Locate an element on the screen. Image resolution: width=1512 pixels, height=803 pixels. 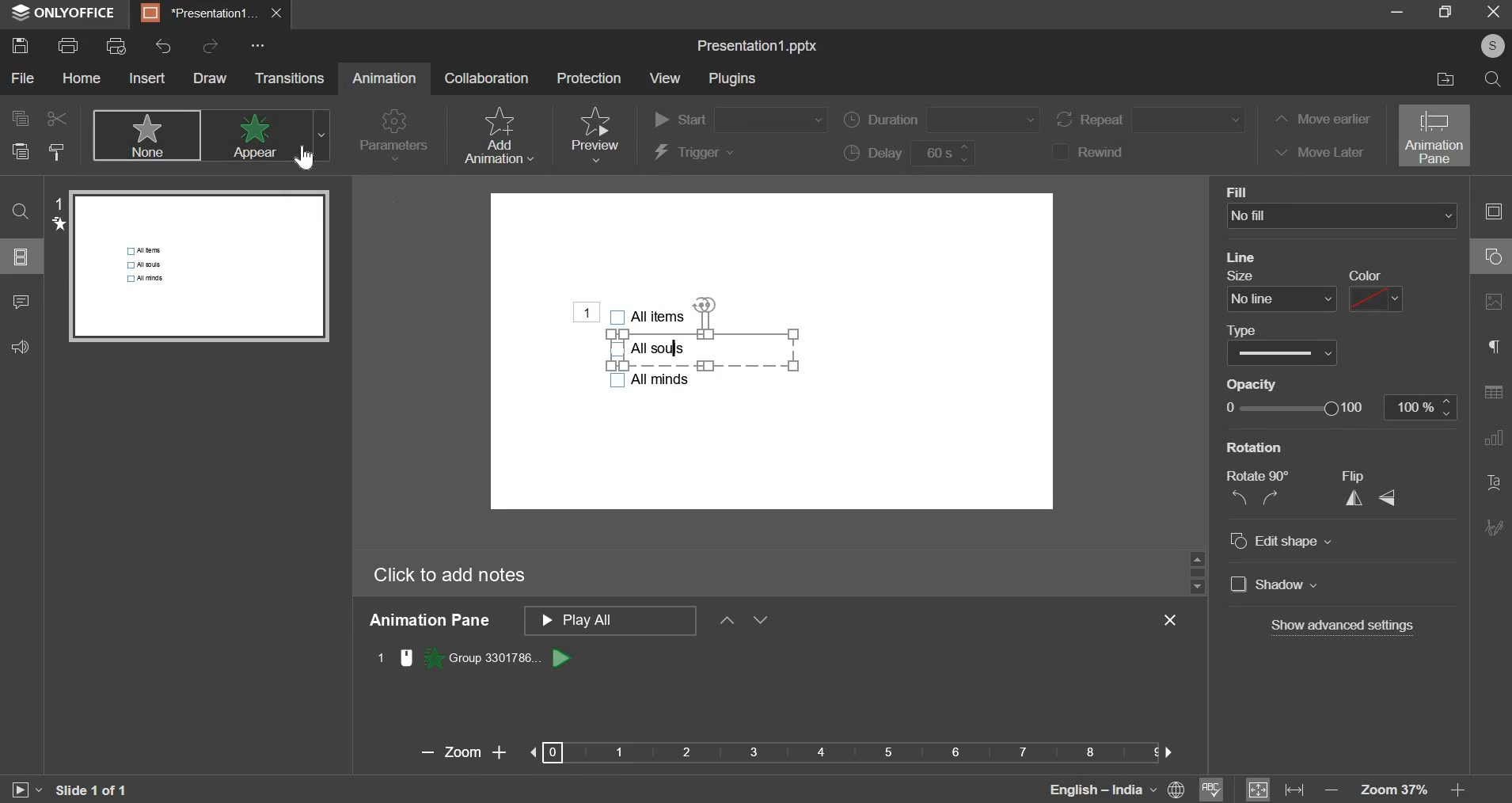
exit is located at coordinates (275, 13).